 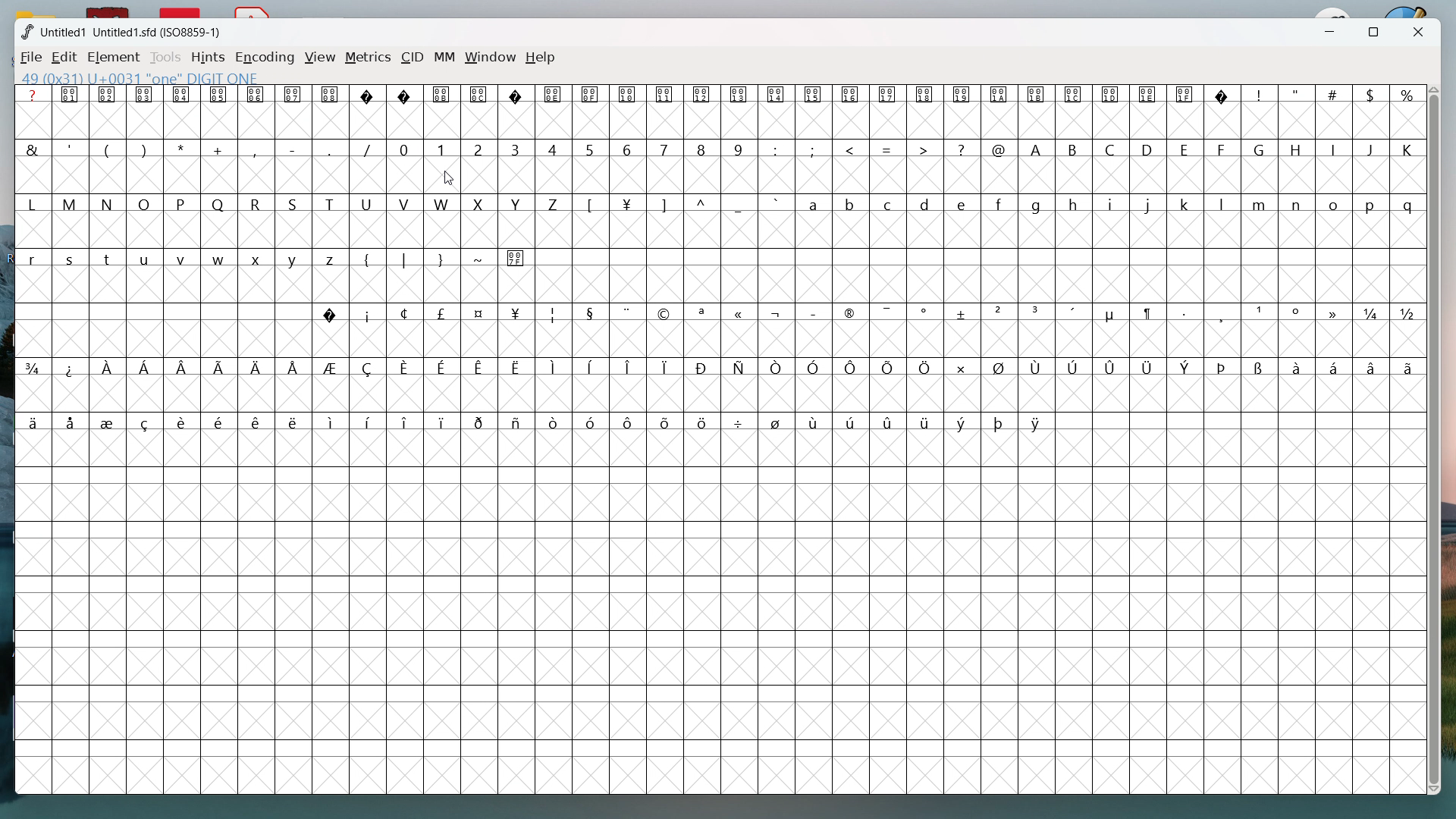 I want to click on symbol, so click(x=926, y=94).